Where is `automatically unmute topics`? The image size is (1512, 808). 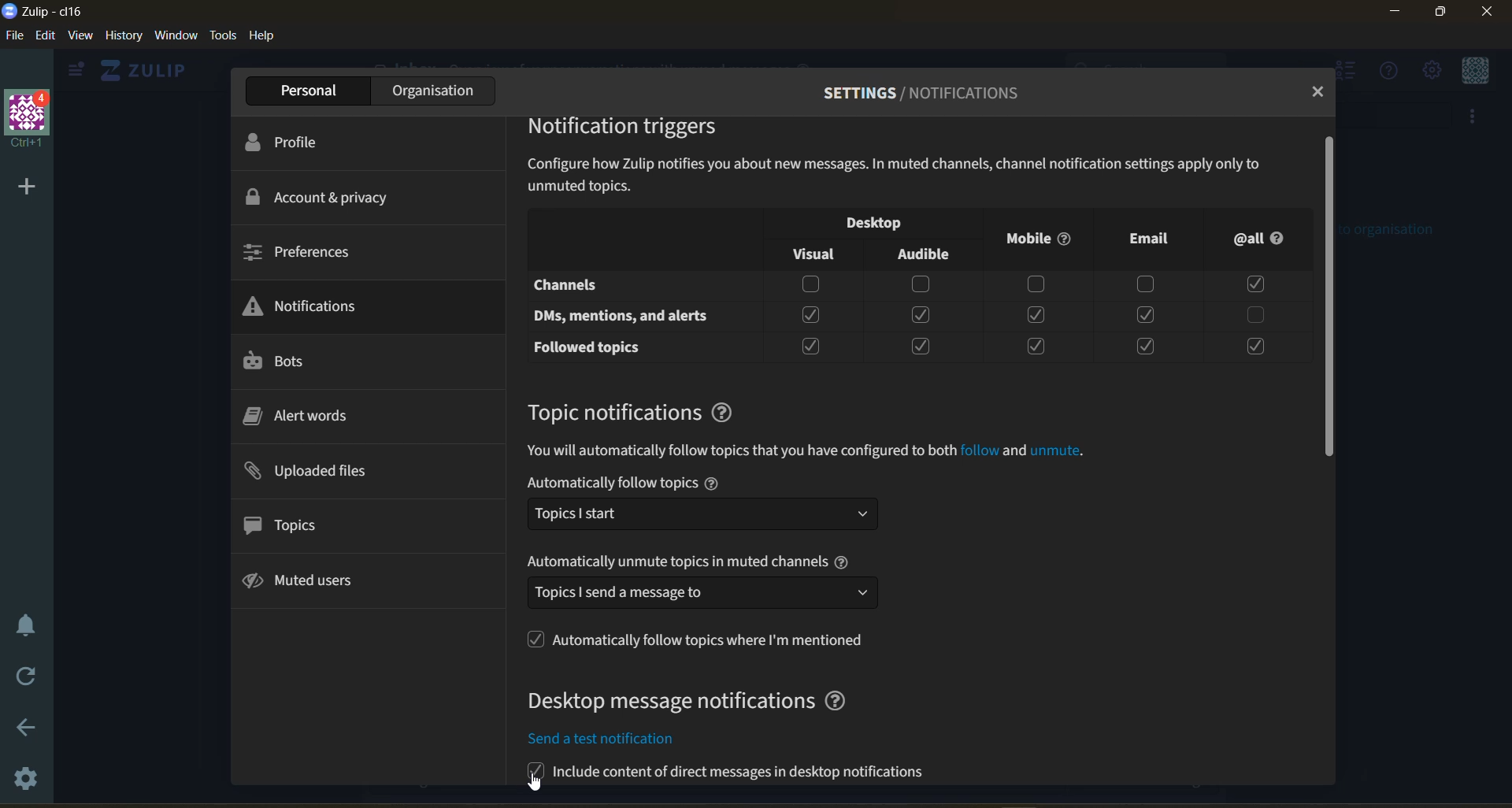 automatically unmute topics is located at coordinates (693, 564).